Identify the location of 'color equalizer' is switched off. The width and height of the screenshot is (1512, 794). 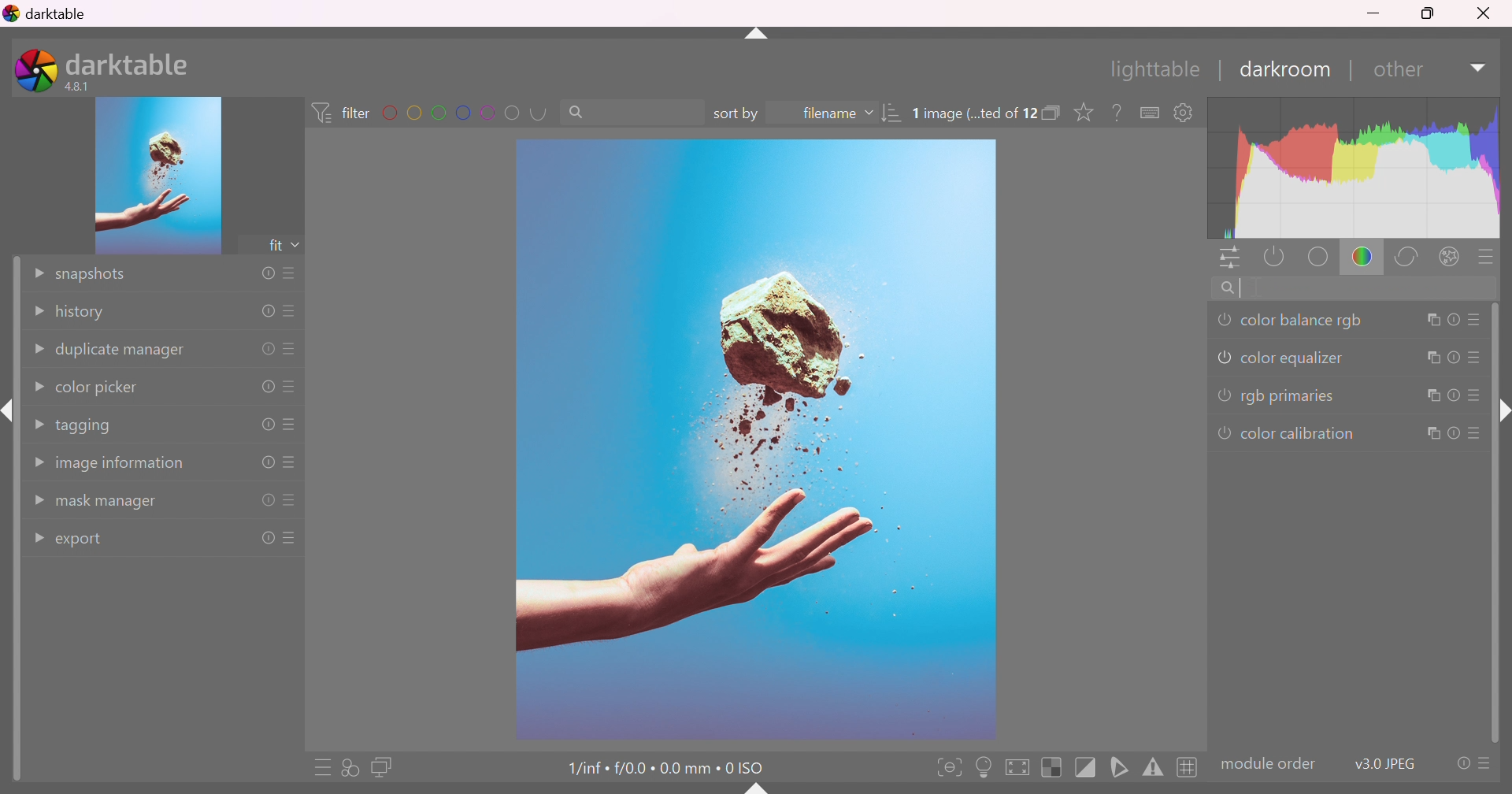
(1221, 355).